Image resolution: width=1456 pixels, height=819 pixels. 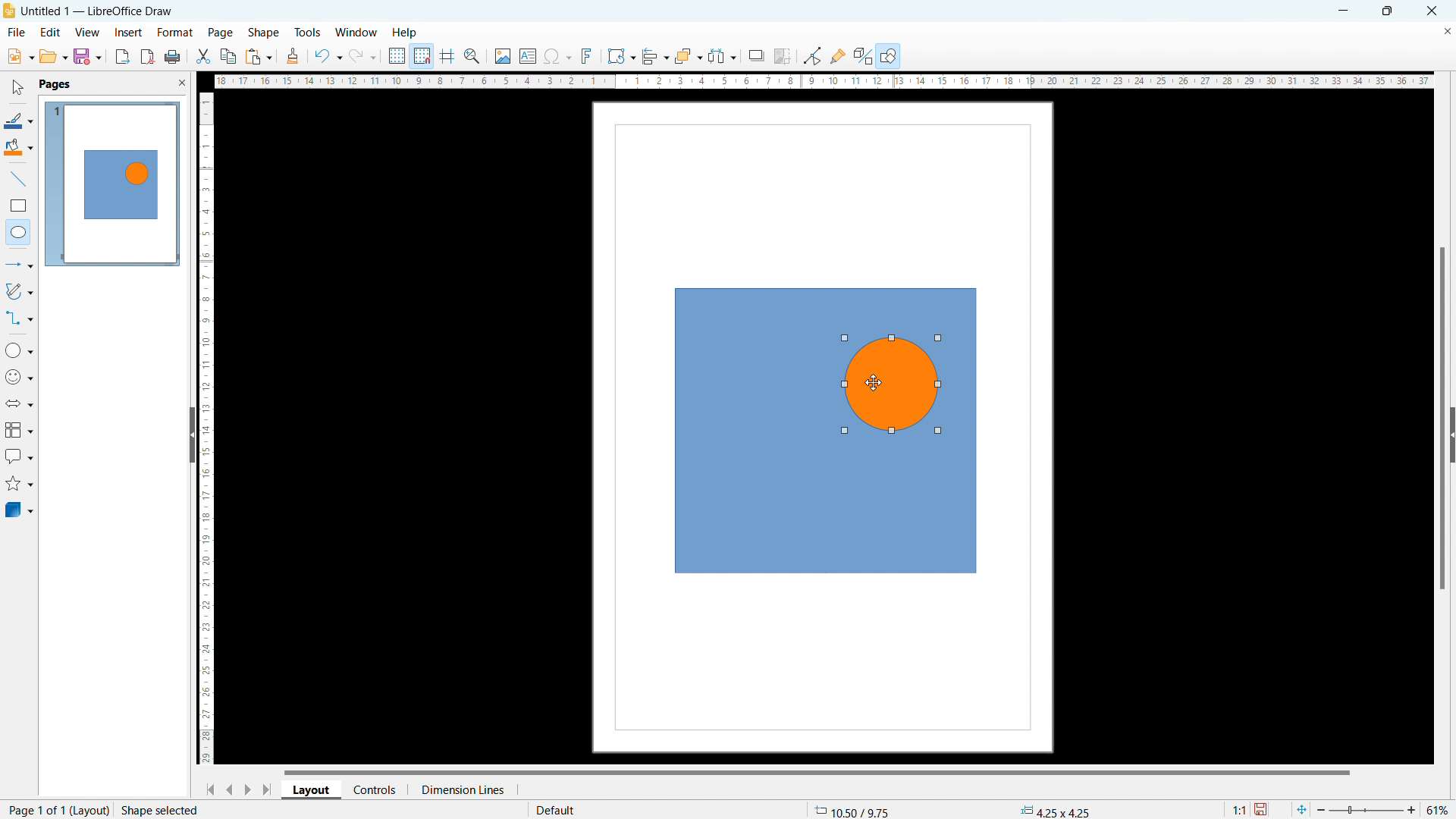 What do you see at coordinates (688, 57) in the screenshot?
I see `arrange` at bounding box center [688, 57].